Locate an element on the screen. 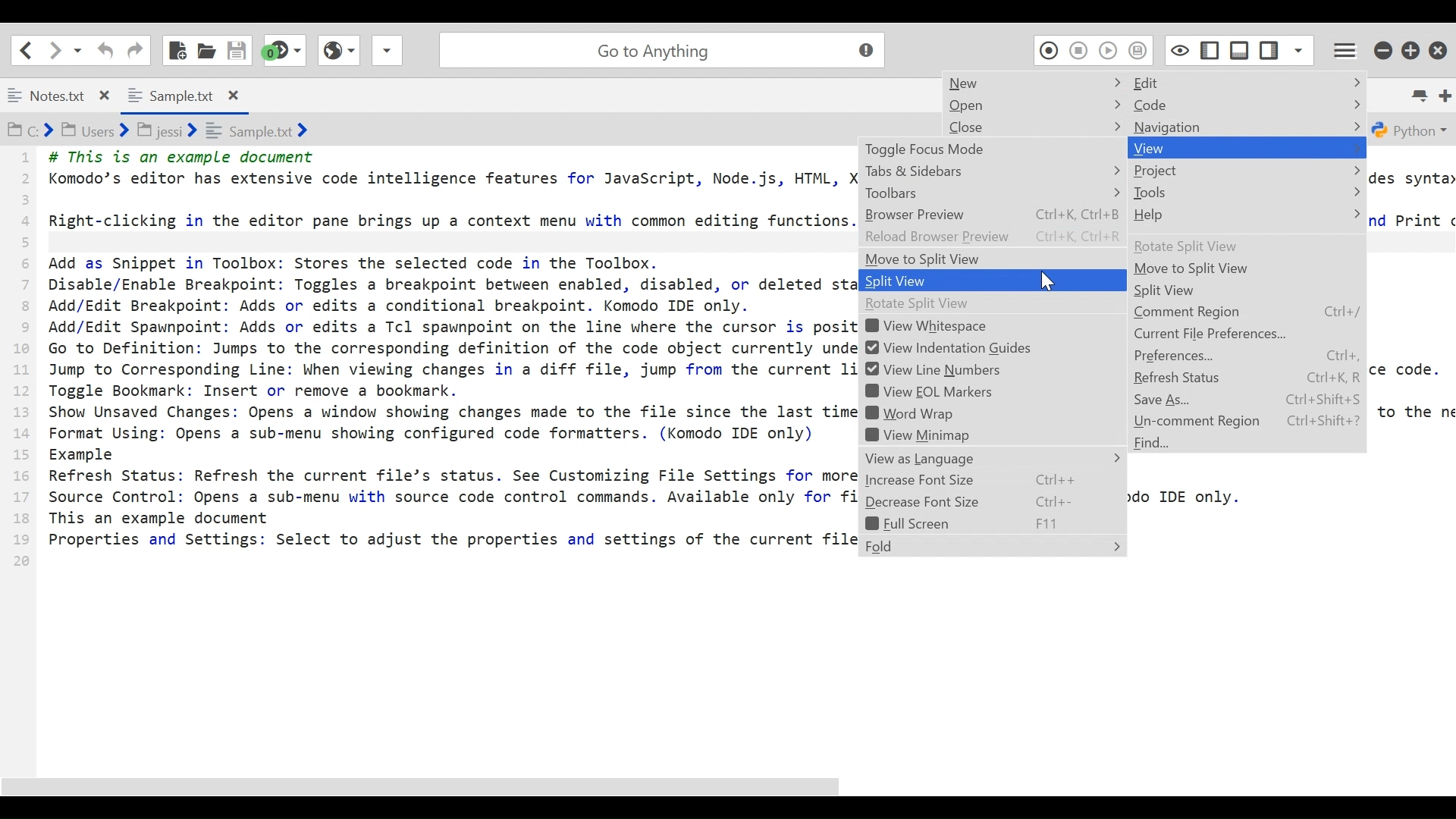 Image resolution: width=1456 pixels, height=819 pixels. Toggle Focus Mode is located at coordinates (984, 149).